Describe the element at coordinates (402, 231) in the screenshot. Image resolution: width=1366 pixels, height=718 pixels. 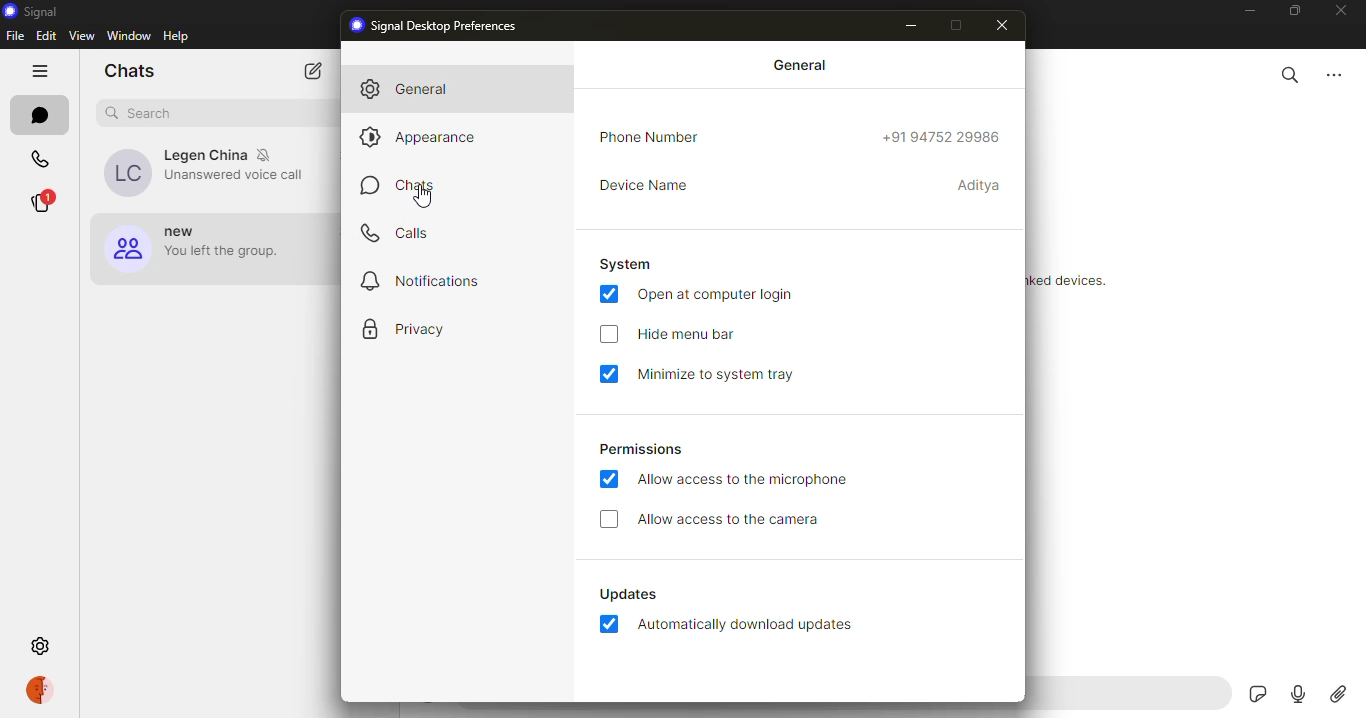
I see `calls` at that location.